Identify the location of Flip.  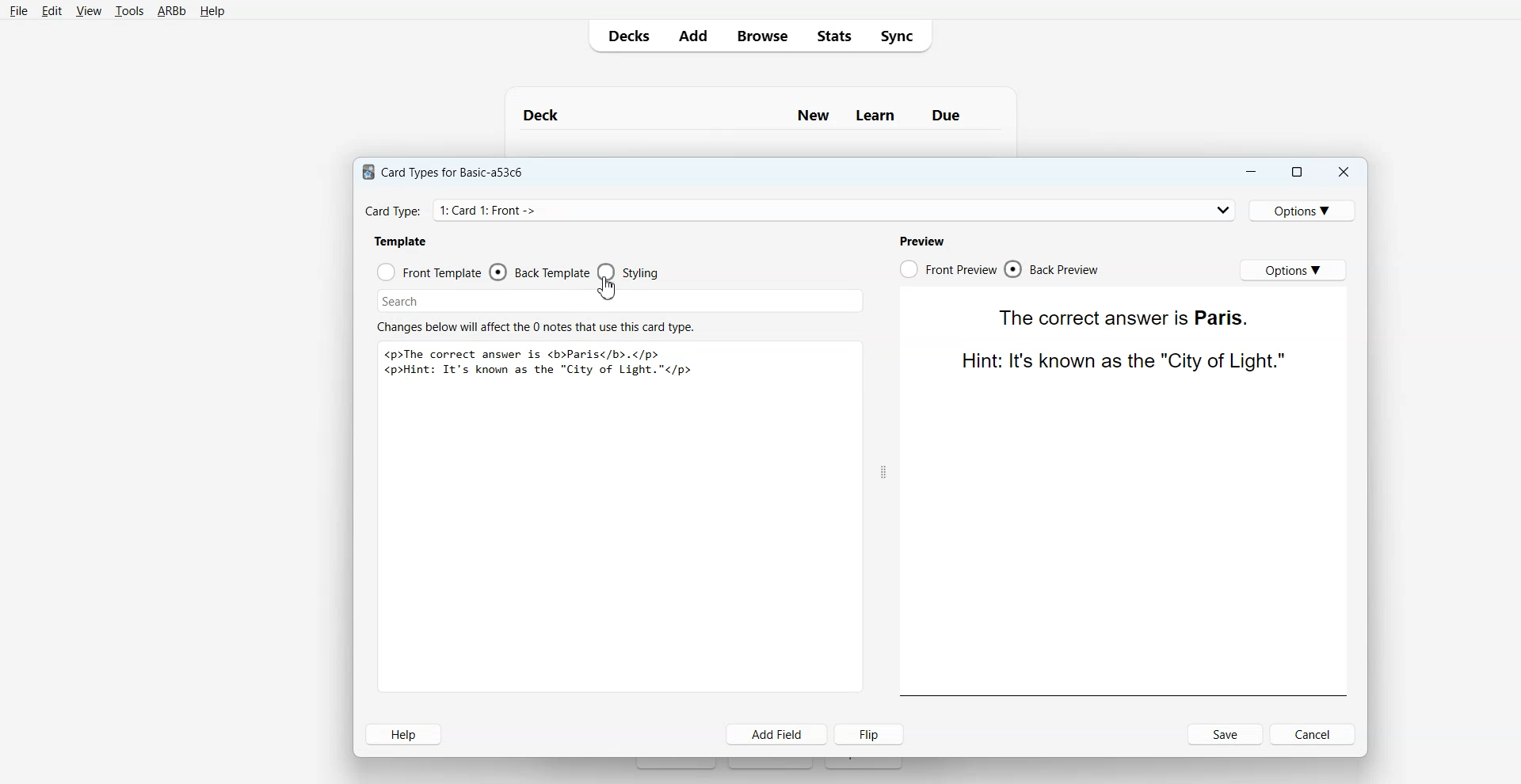
(872, 733).